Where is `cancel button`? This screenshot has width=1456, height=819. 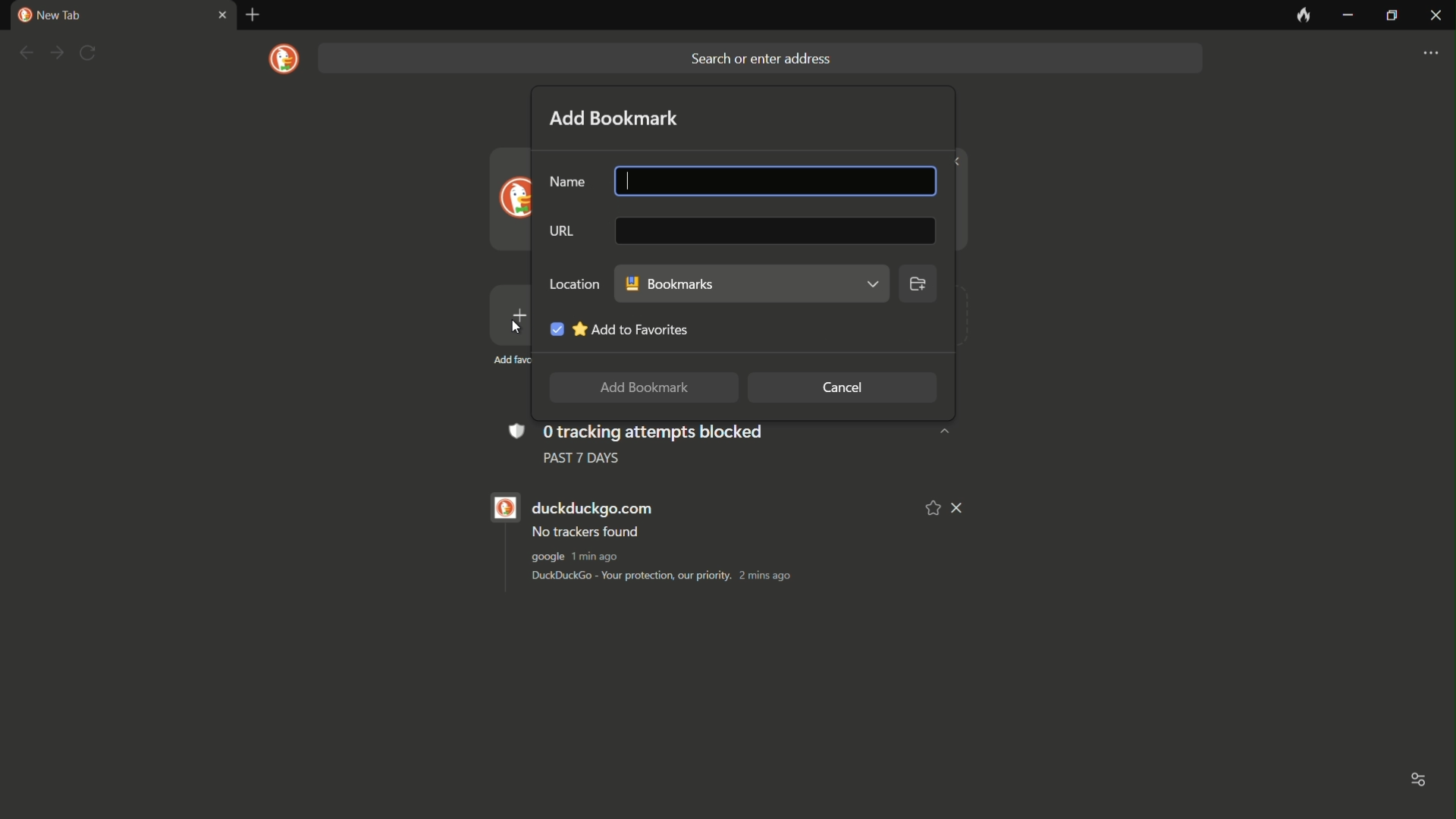
cancel button is located at coordinates (843, 388).